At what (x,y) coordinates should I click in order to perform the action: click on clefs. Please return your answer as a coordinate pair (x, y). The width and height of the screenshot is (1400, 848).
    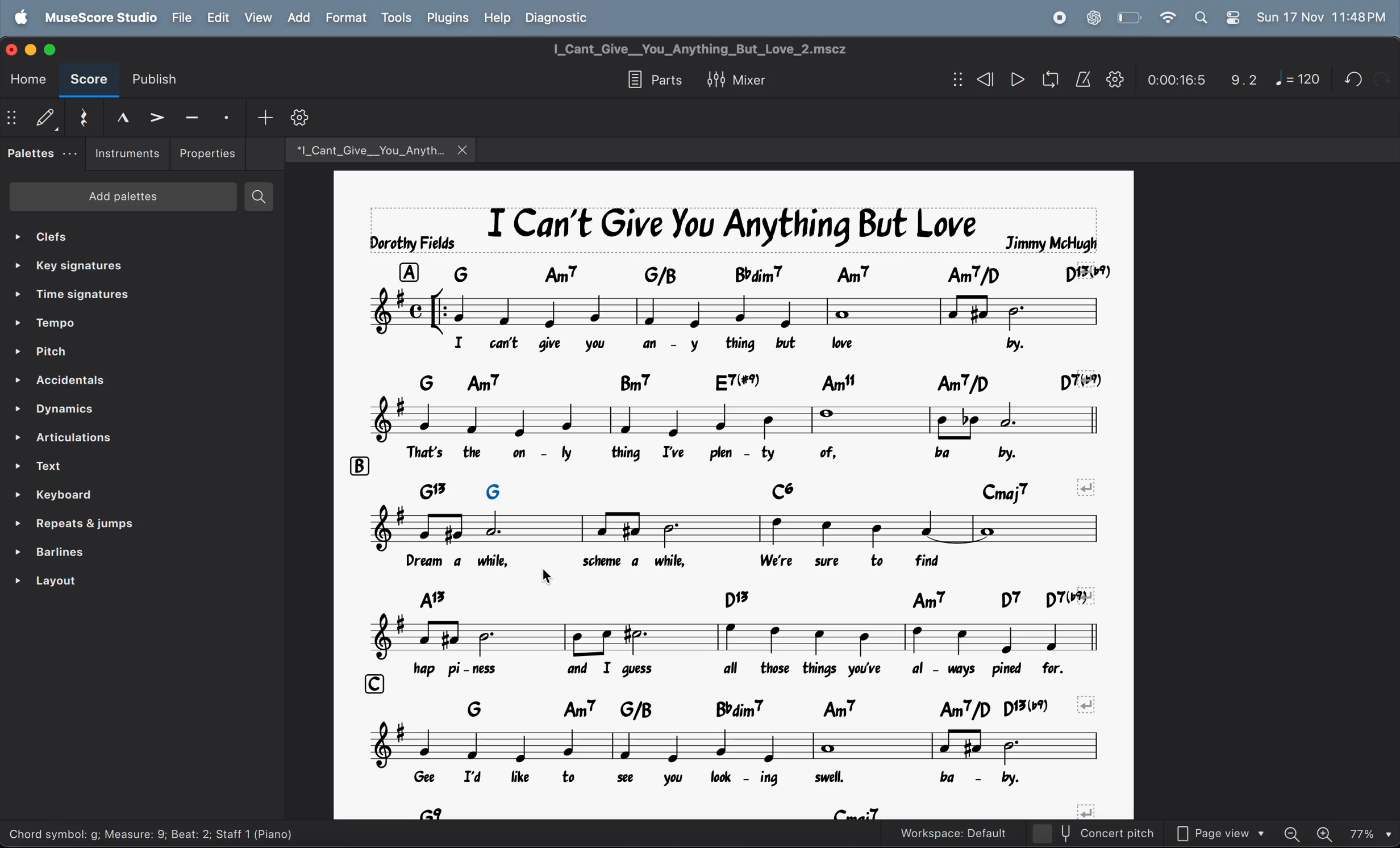
    Looking at the image, I should click on (126, 236).